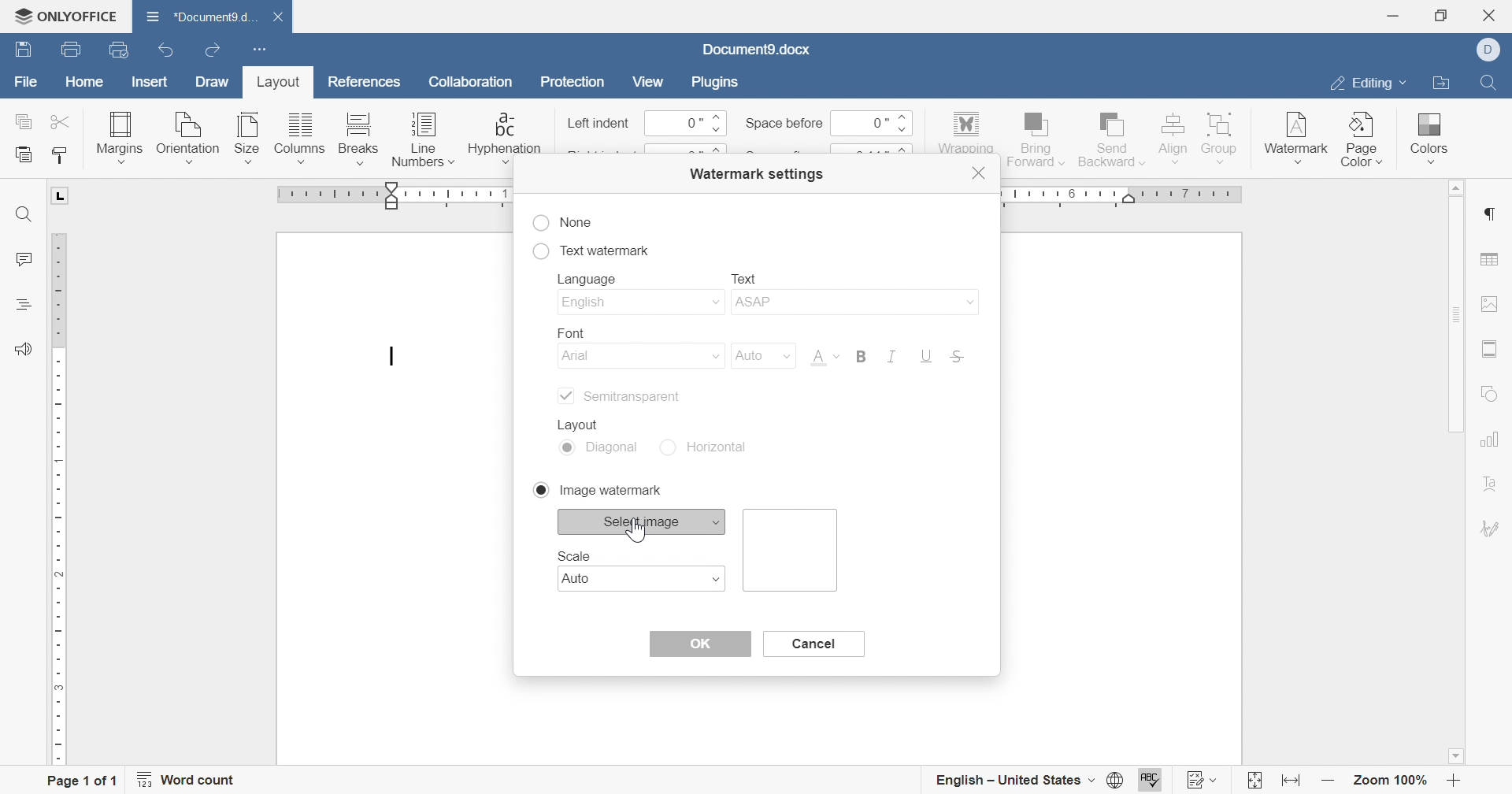 The height and width of the screenshot is (794, 1512). Describe the element at coordinates (1491, 395) in the screenshot. I see `shape settings` at that location.